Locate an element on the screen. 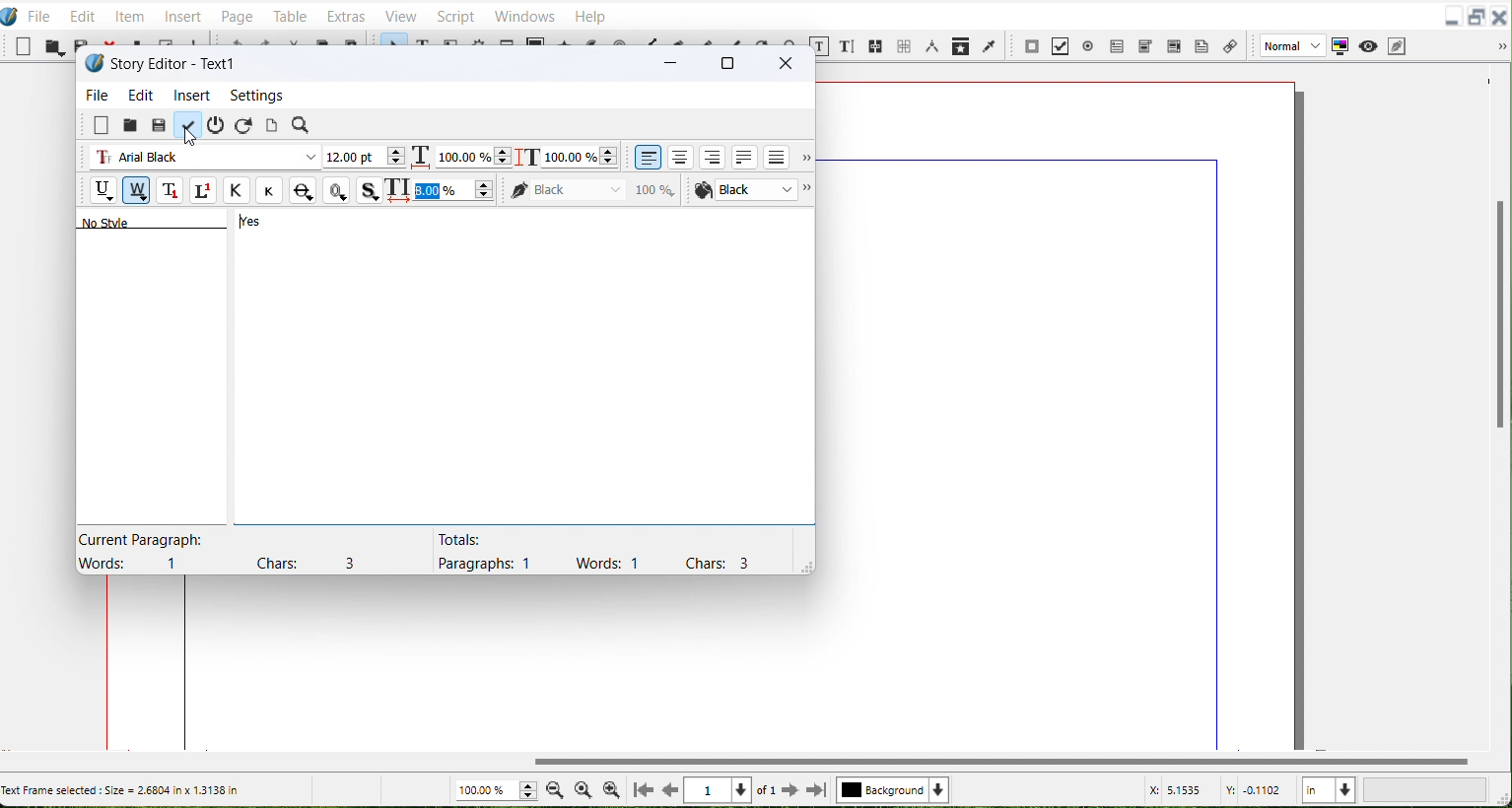  Edit text is located at coordinates (849, 45).